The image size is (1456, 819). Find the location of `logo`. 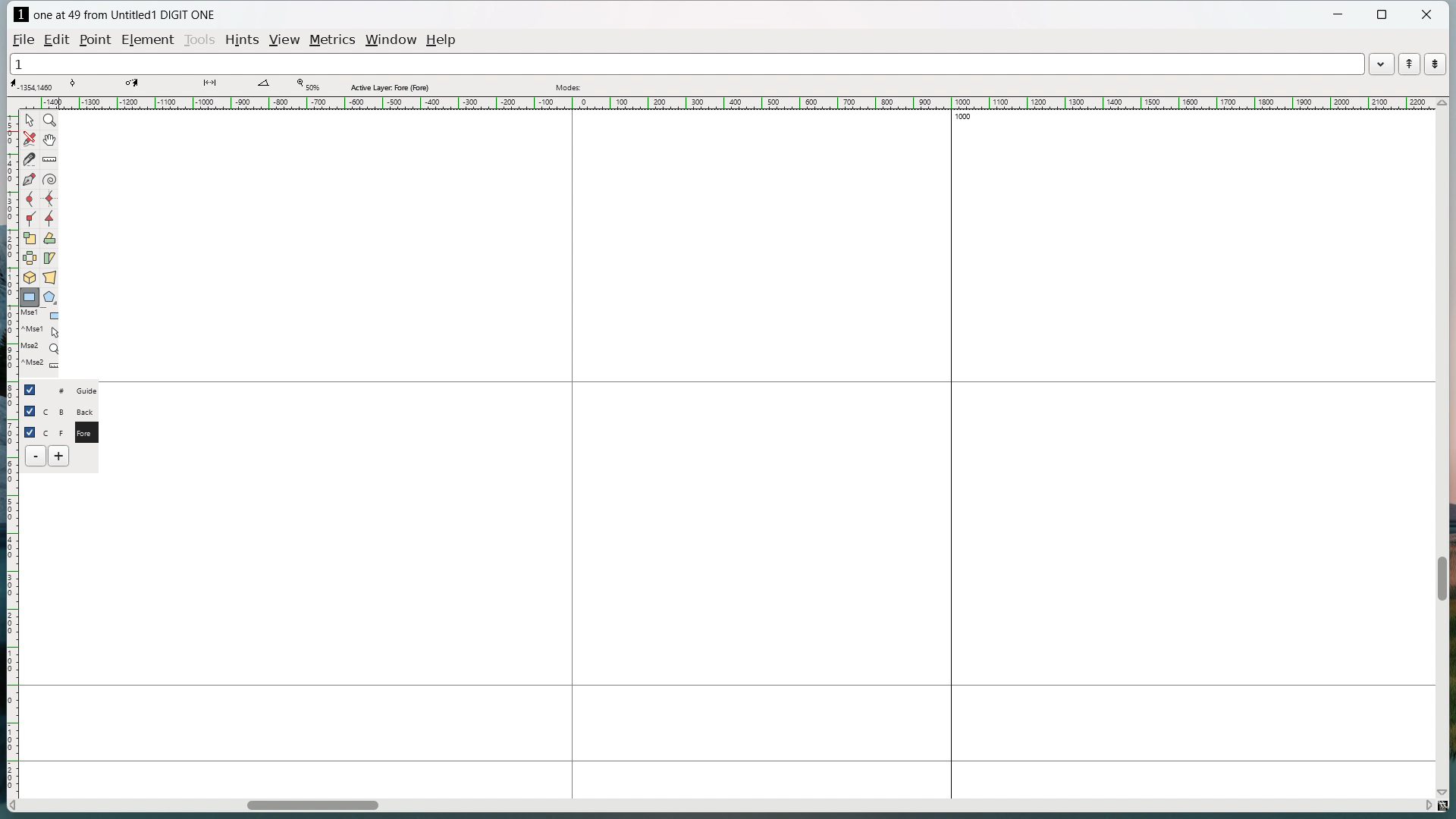

logo is located at coordinates (20, 14).